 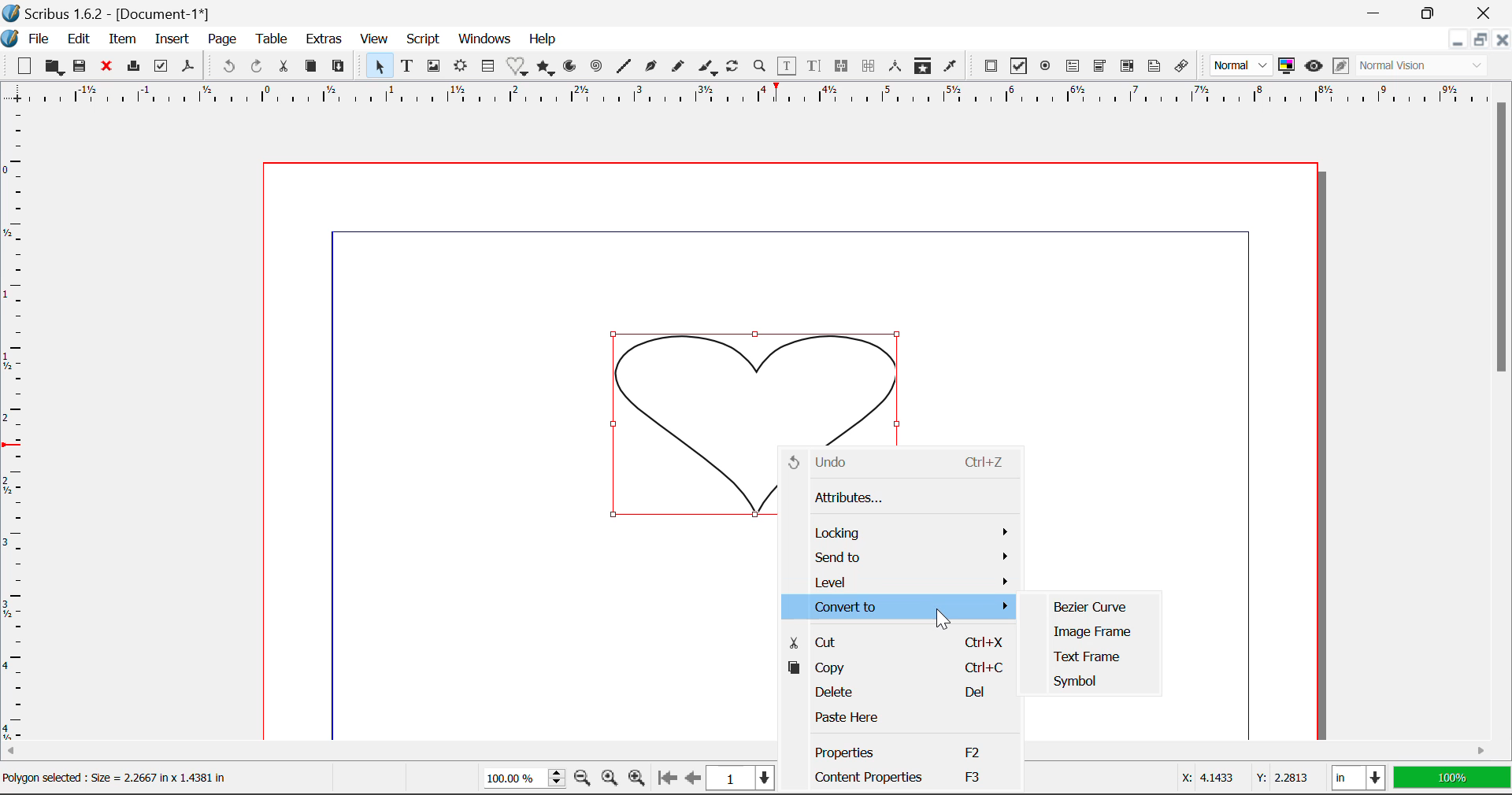 What do you see at coordinates (109, 68) in the screenshot?
I see `Close` at bounding box center [109, 68].